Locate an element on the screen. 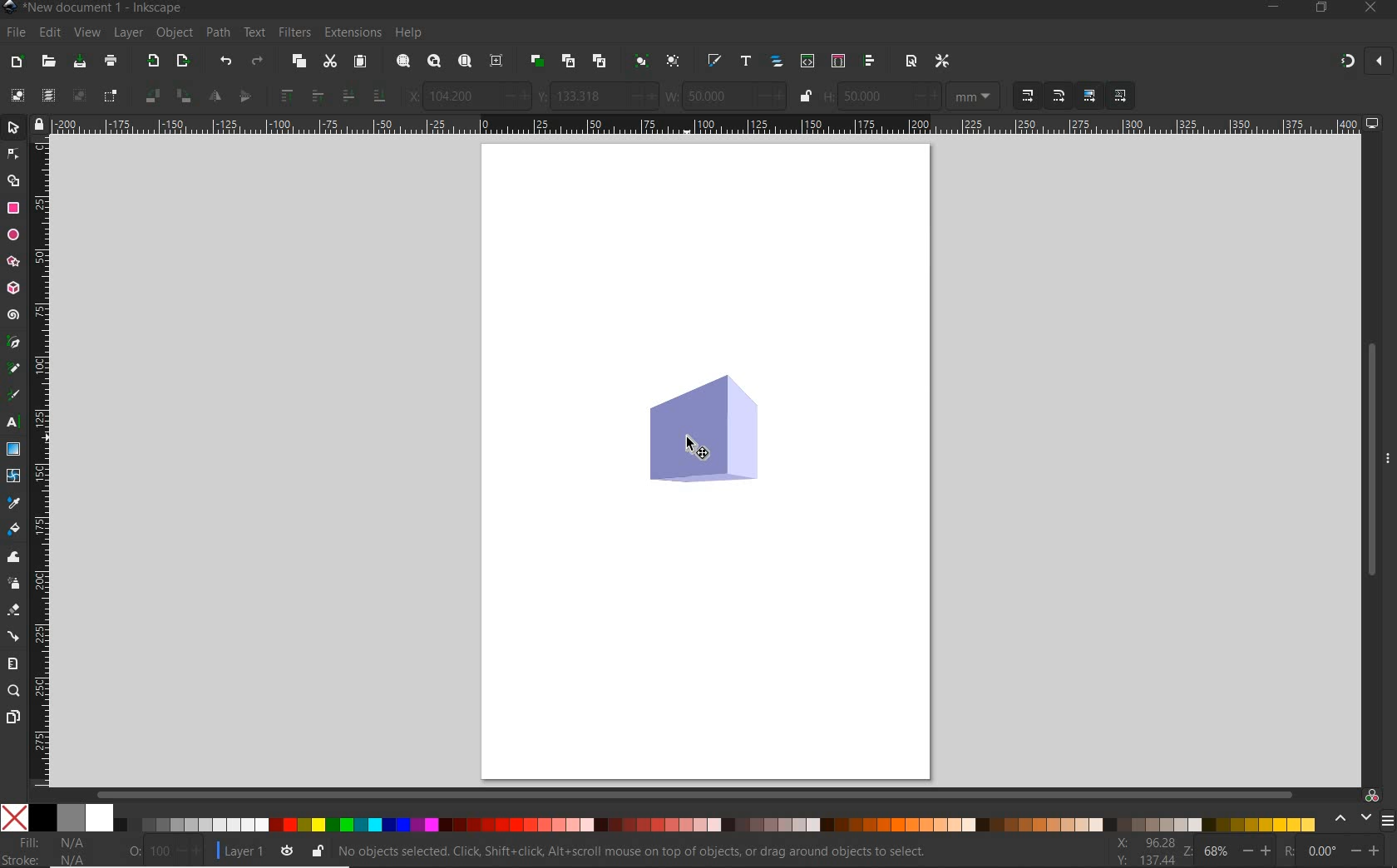 The height and width of the screenshot is (868, 1397). open fill and stroke is located at coordinates (713, 61).